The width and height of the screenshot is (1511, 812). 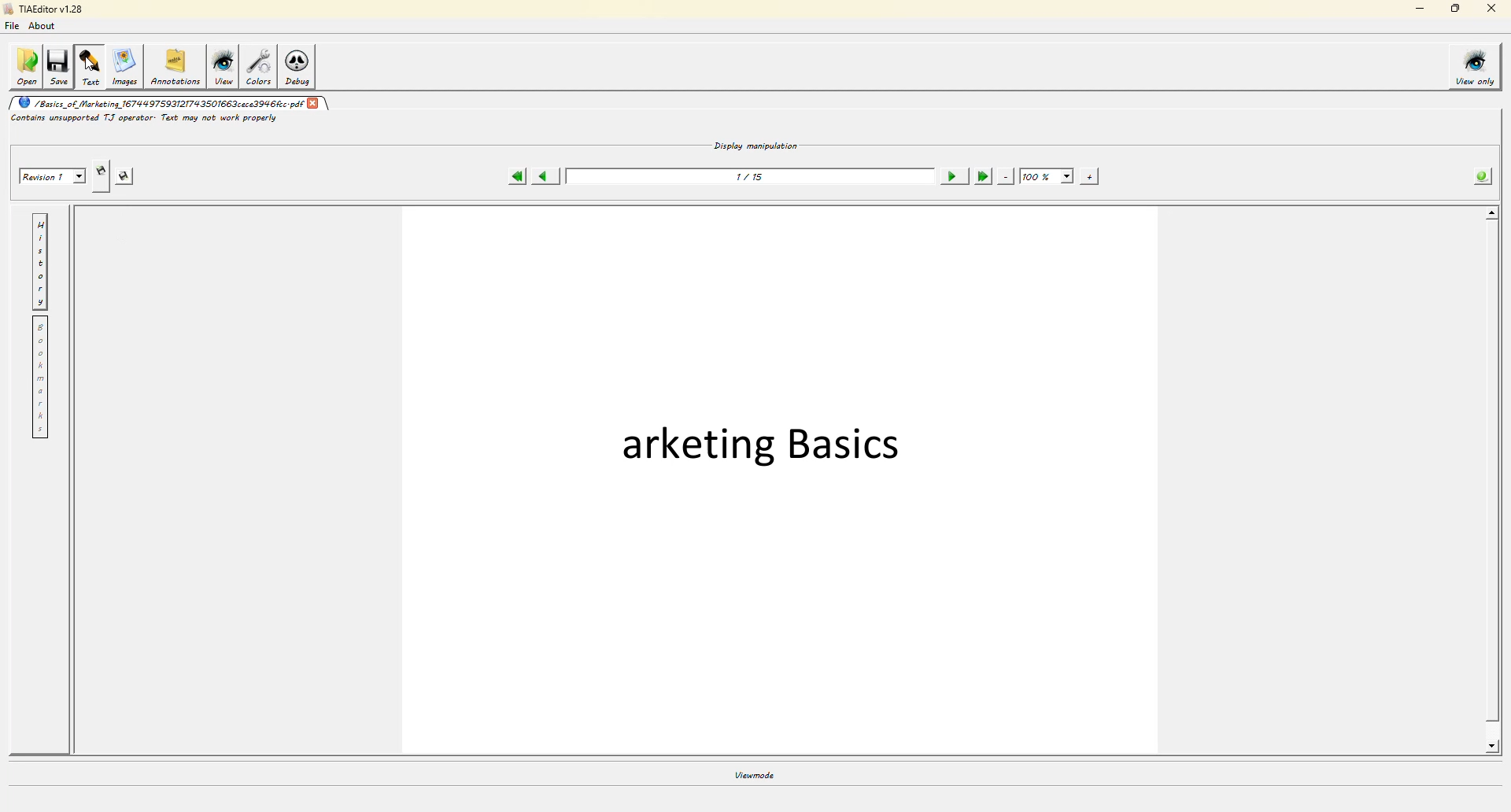 I want to click on minimize, so click(x=1417, y=10).